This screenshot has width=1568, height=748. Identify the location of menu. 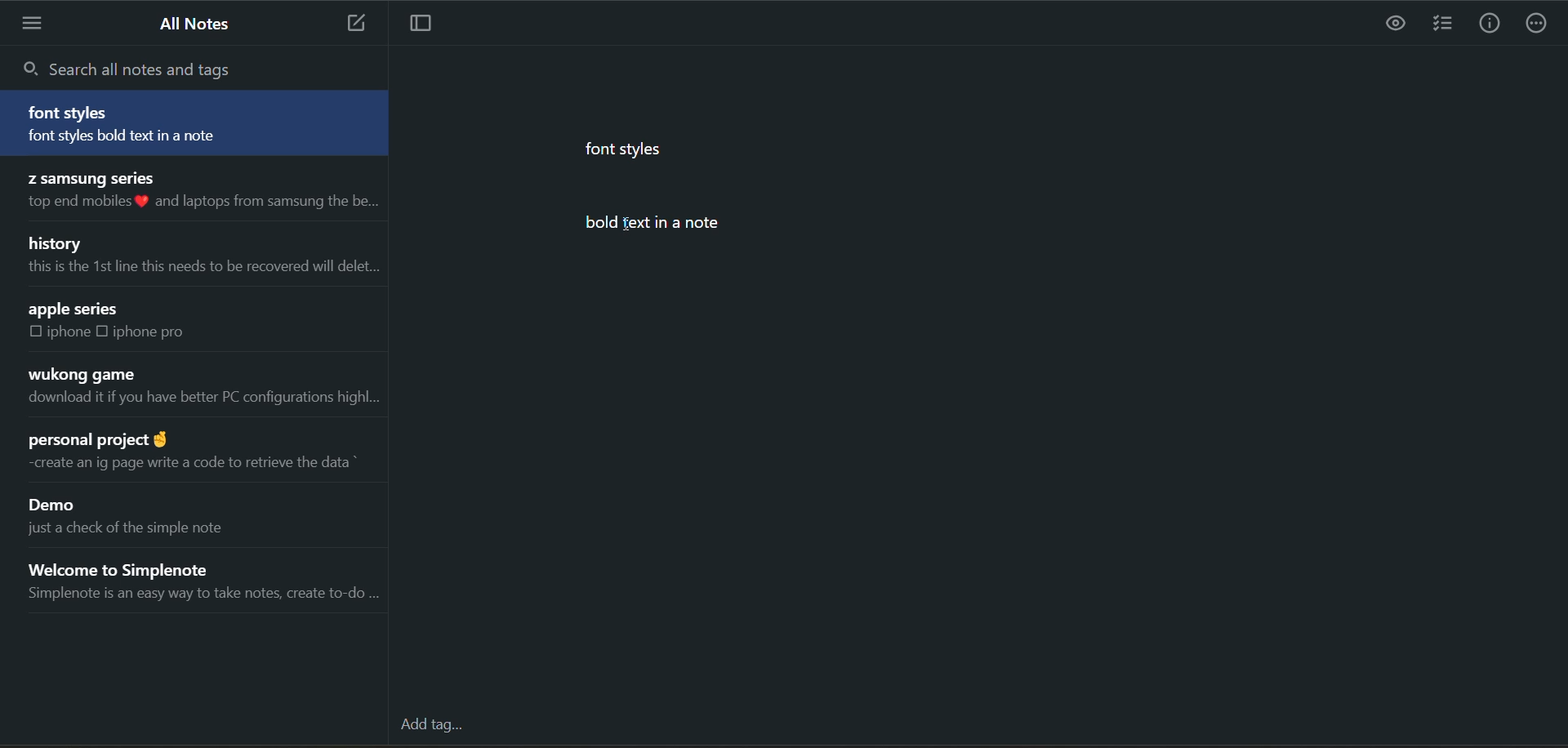
(35, 23).